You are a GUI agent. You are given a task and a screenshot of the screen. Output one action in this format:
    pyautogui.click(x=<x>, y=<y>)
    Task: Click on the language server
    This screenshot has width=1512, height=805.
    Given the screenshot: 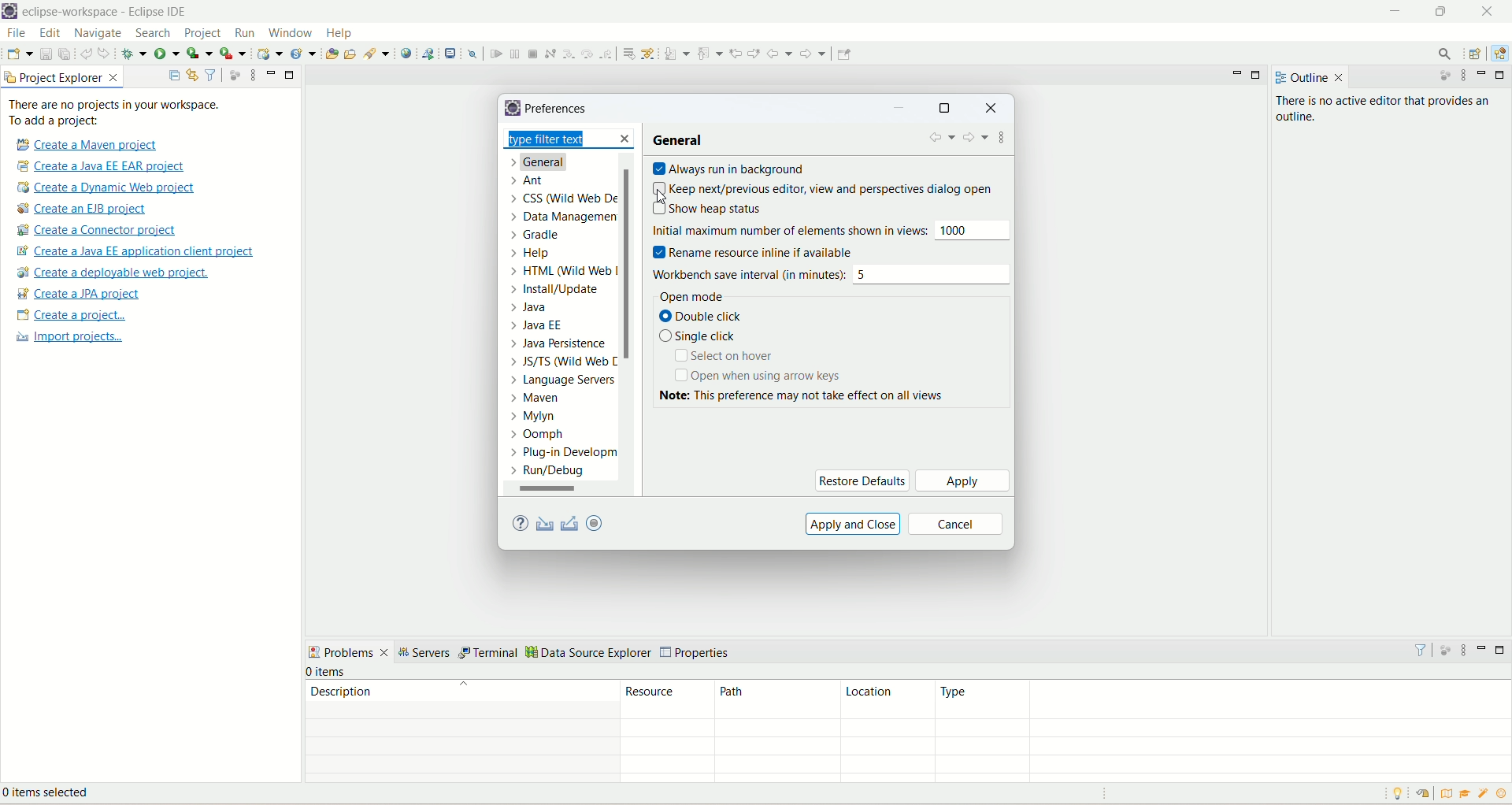 What is the action you would take?
    pyautogui.click(x=561, y=383)
    